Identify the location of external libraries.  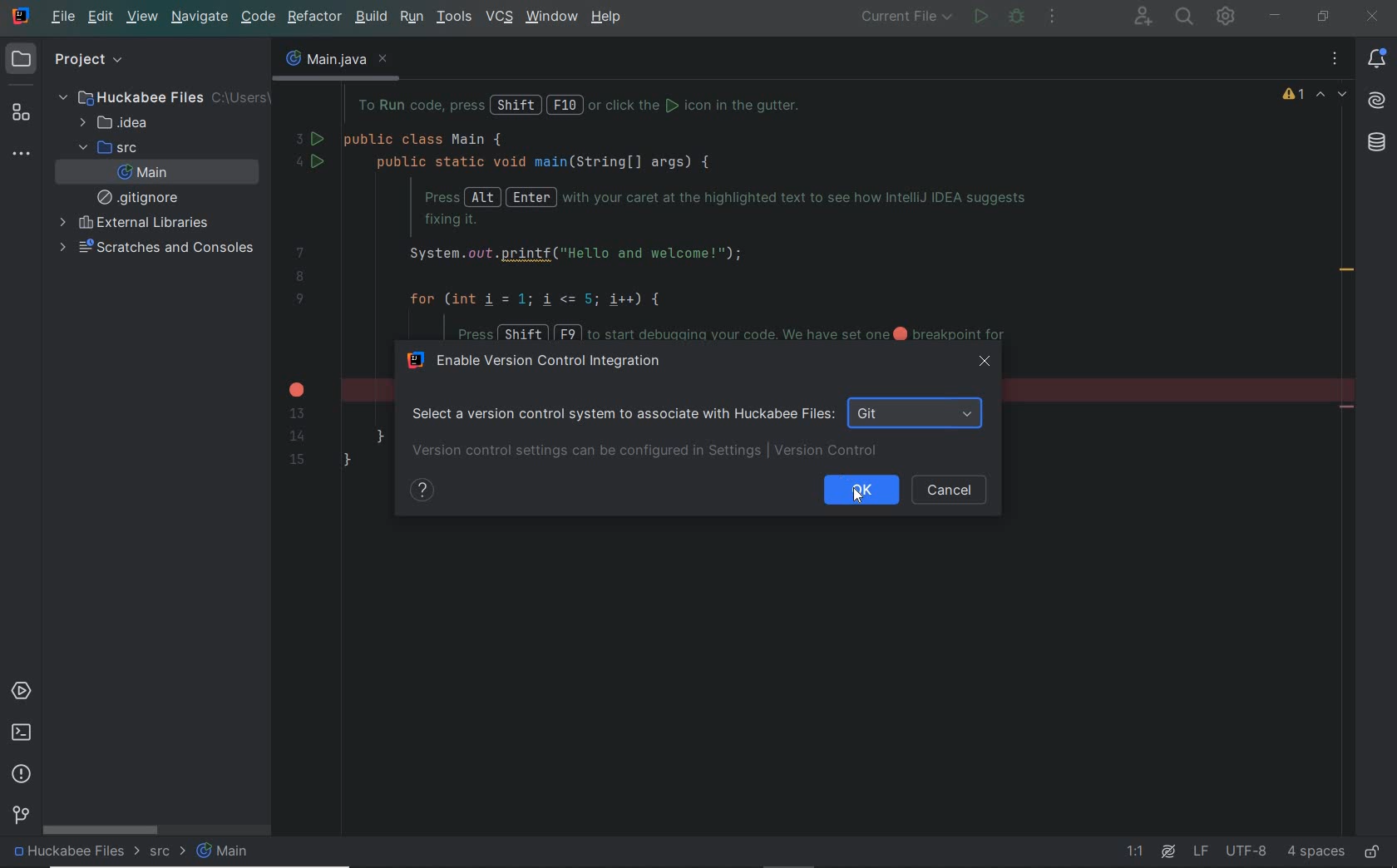
(132, 223).